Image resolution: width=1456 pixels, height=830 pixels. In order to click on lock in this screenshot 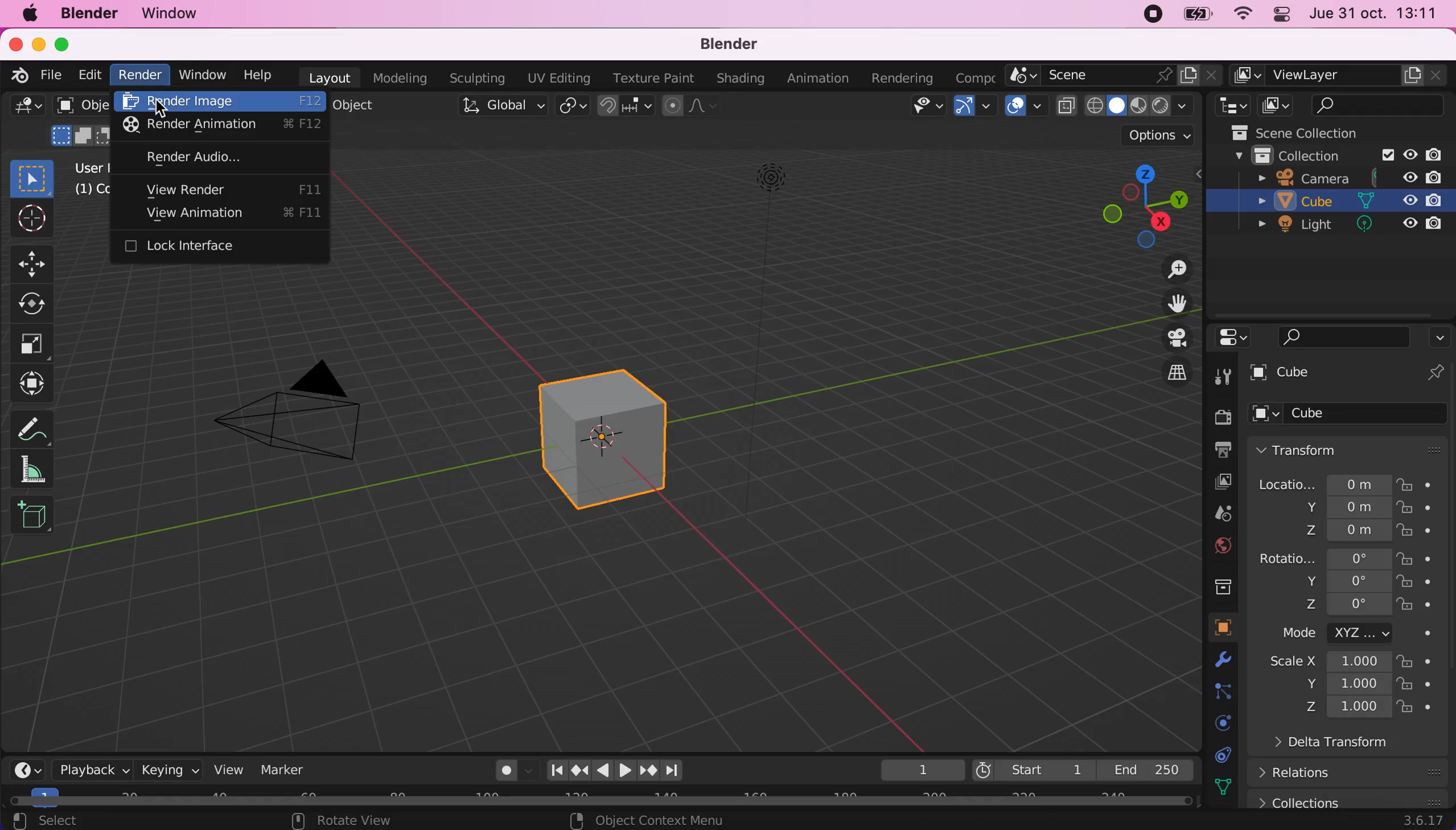, I will do `click(1419, 584)`.